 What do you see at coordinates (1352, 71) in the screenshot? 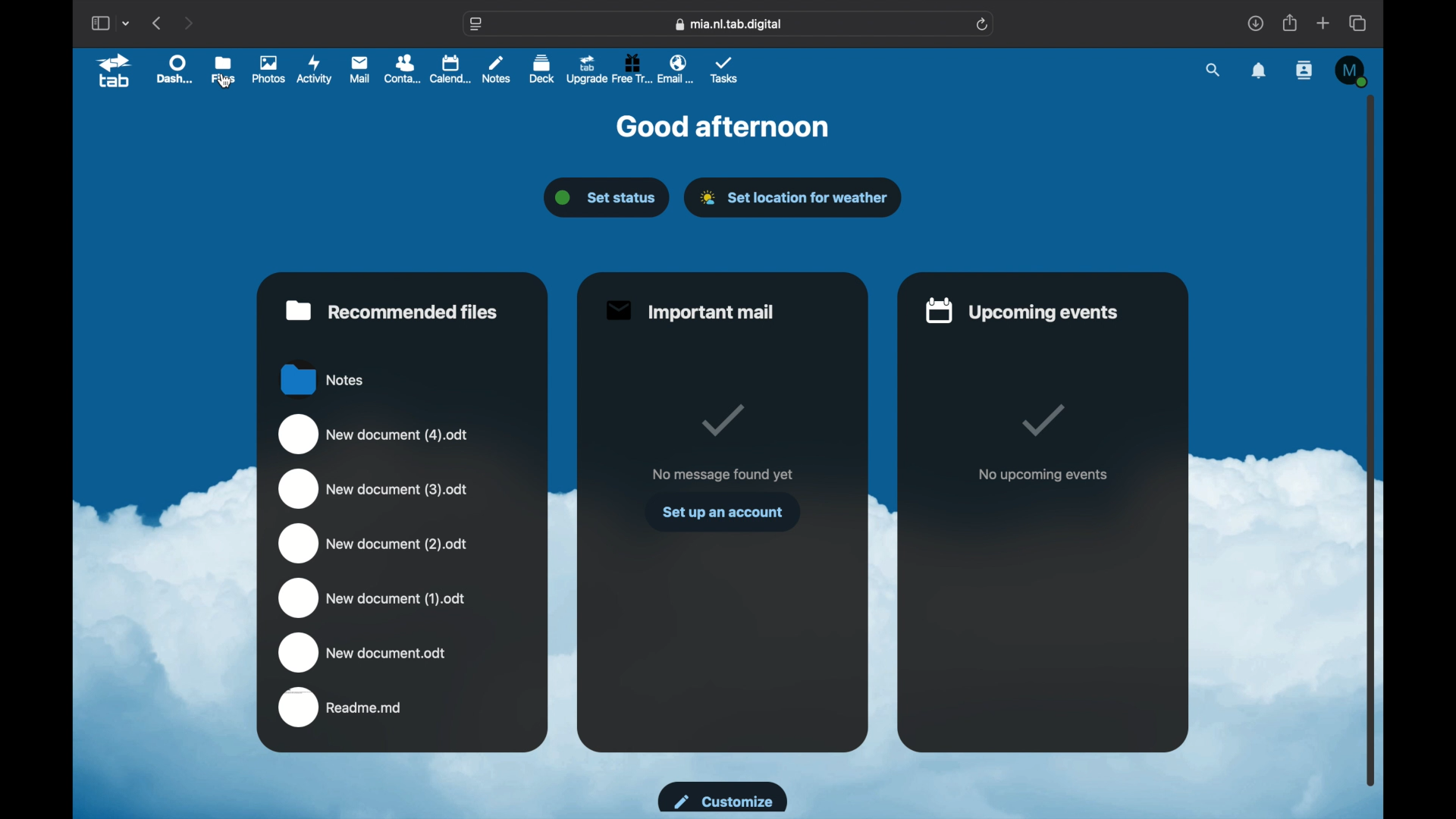
I see `M` at bounding box center [1352, 71].